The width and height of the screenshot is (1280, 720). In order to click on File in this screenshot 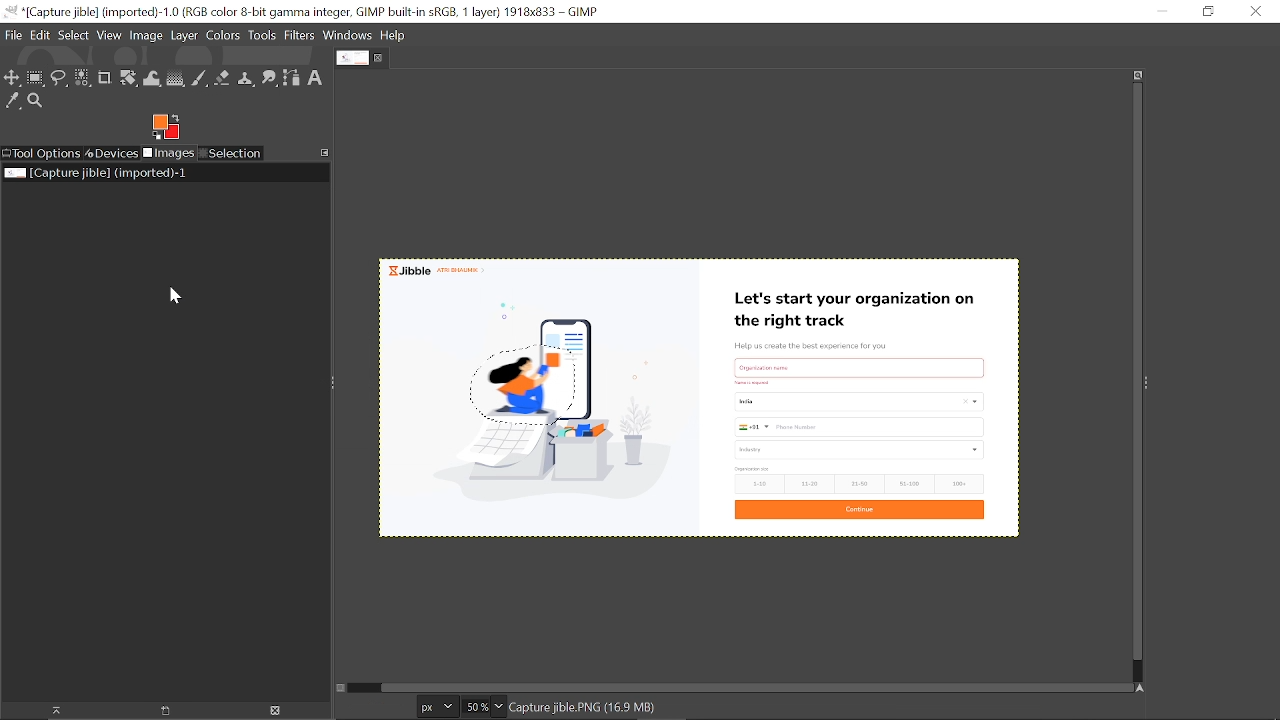, I will do `click(13, 35)`.